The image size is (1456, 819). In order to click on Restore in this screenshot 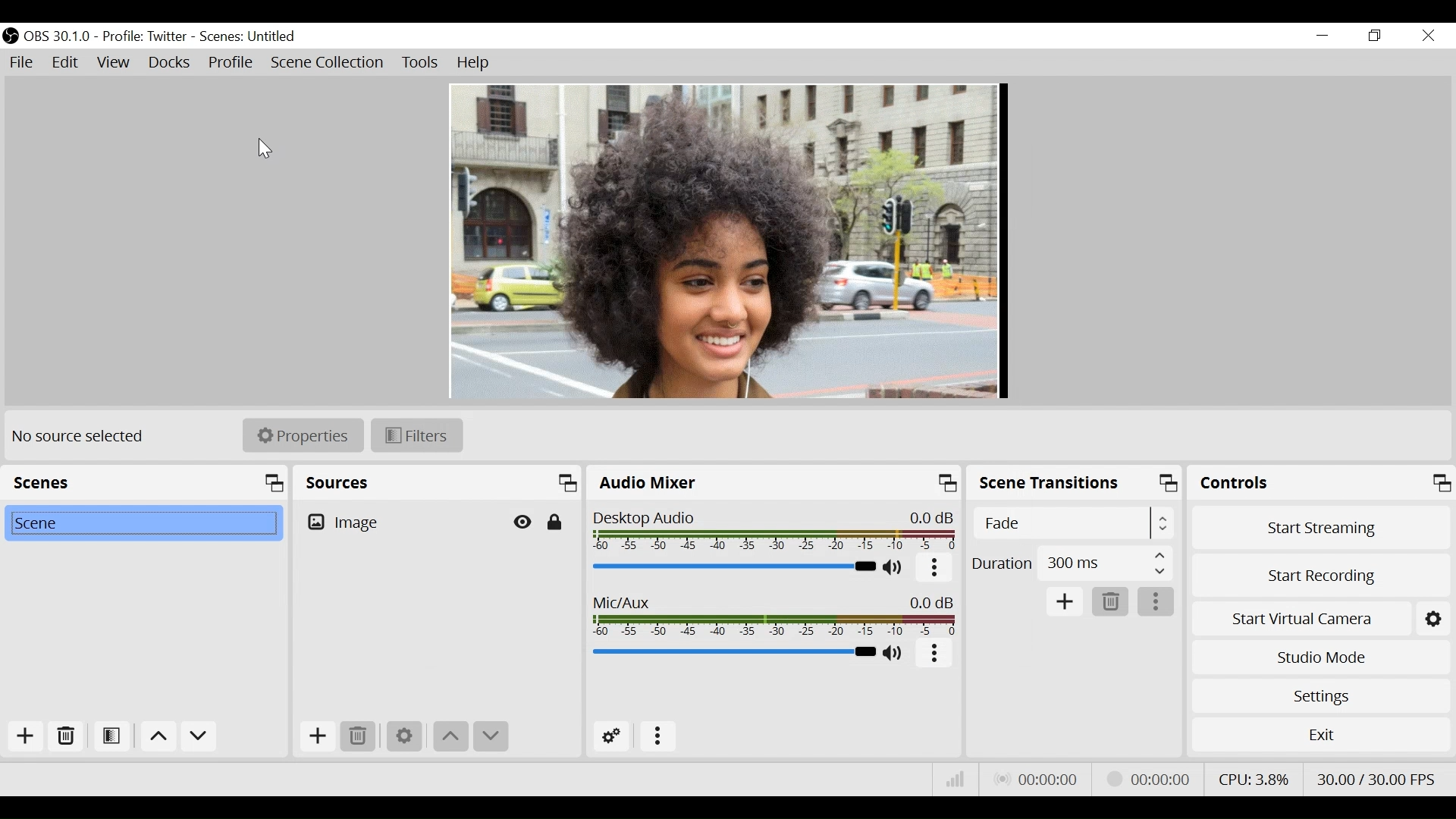, I will do `click(1373, 36)`.